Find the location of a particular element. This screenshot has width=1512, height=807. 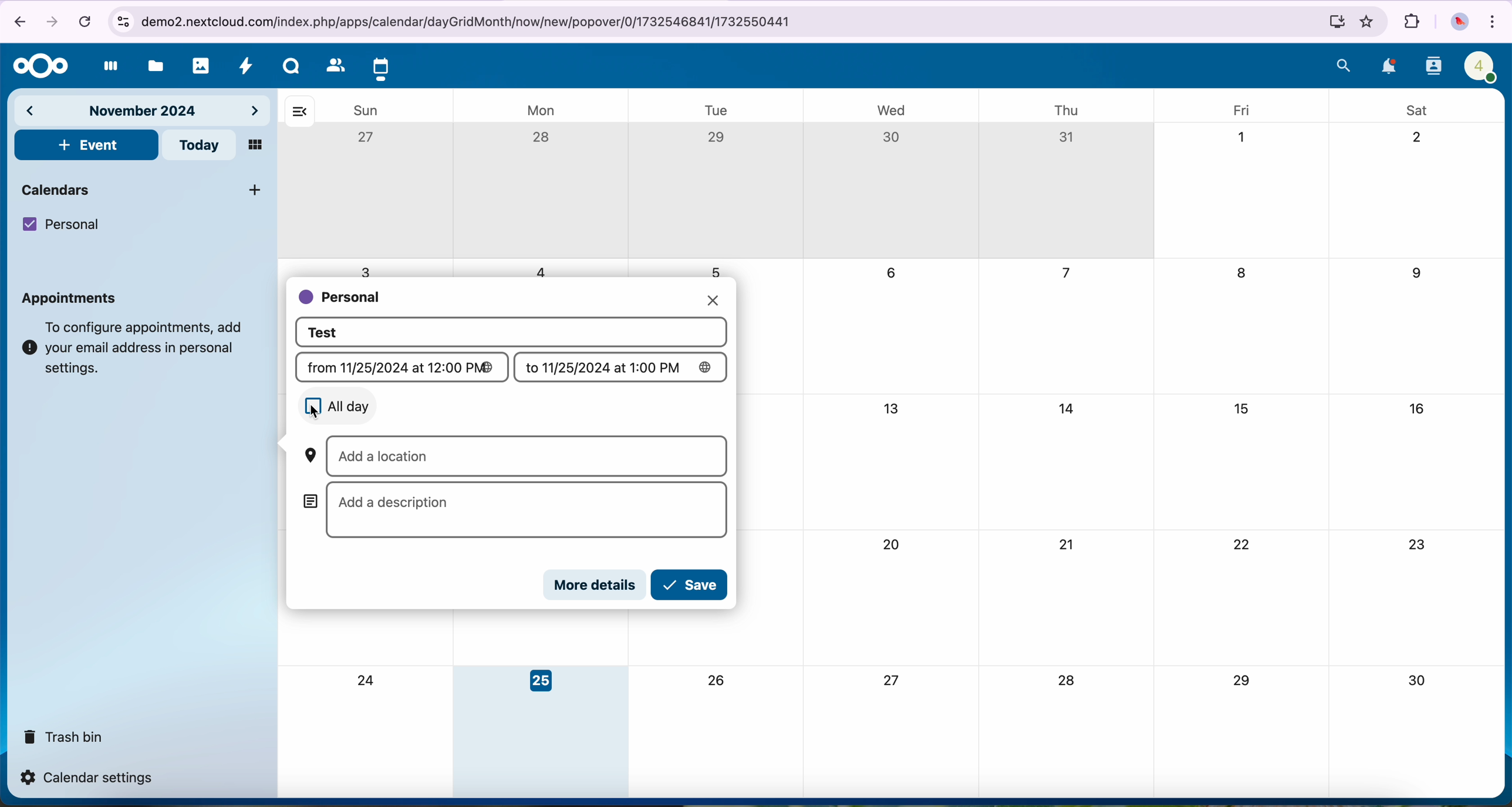

tue is located at coordinates (713, 108).